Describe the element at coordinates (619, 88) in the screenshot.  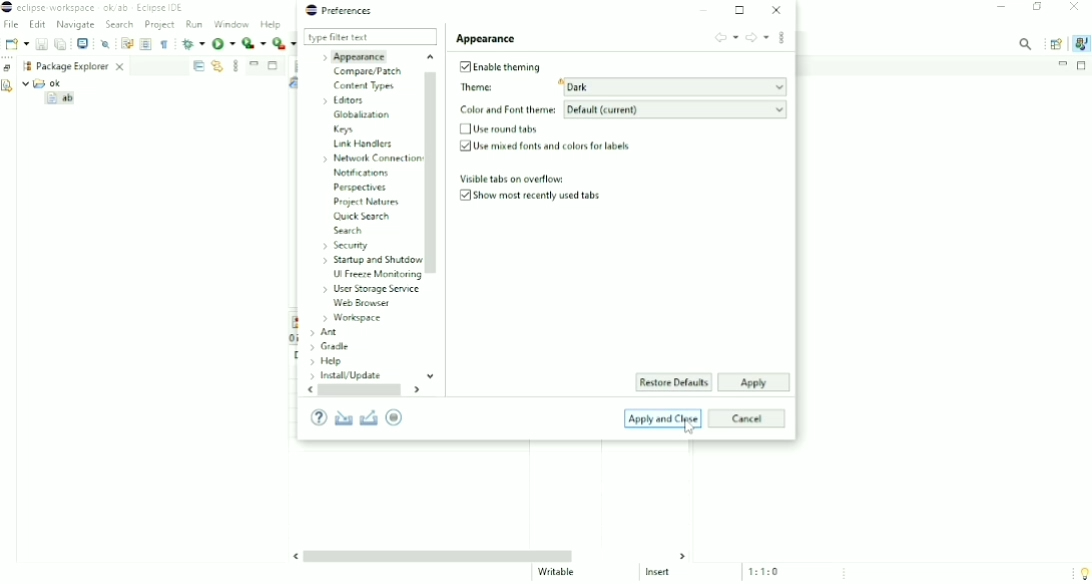
I see `Theme changed` at that location.